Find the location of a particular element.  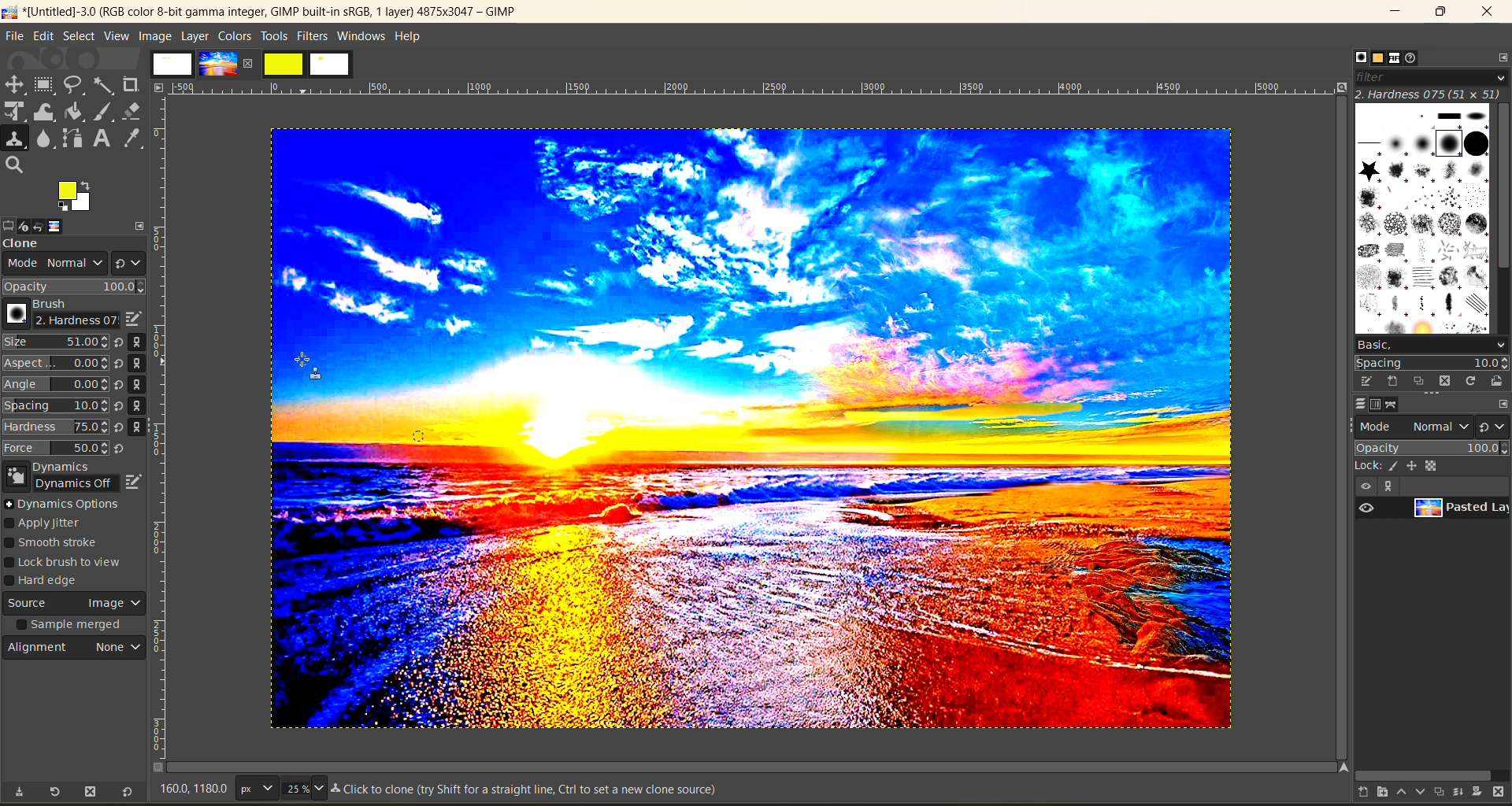

reset to default values is located at coordinates (126, 793).